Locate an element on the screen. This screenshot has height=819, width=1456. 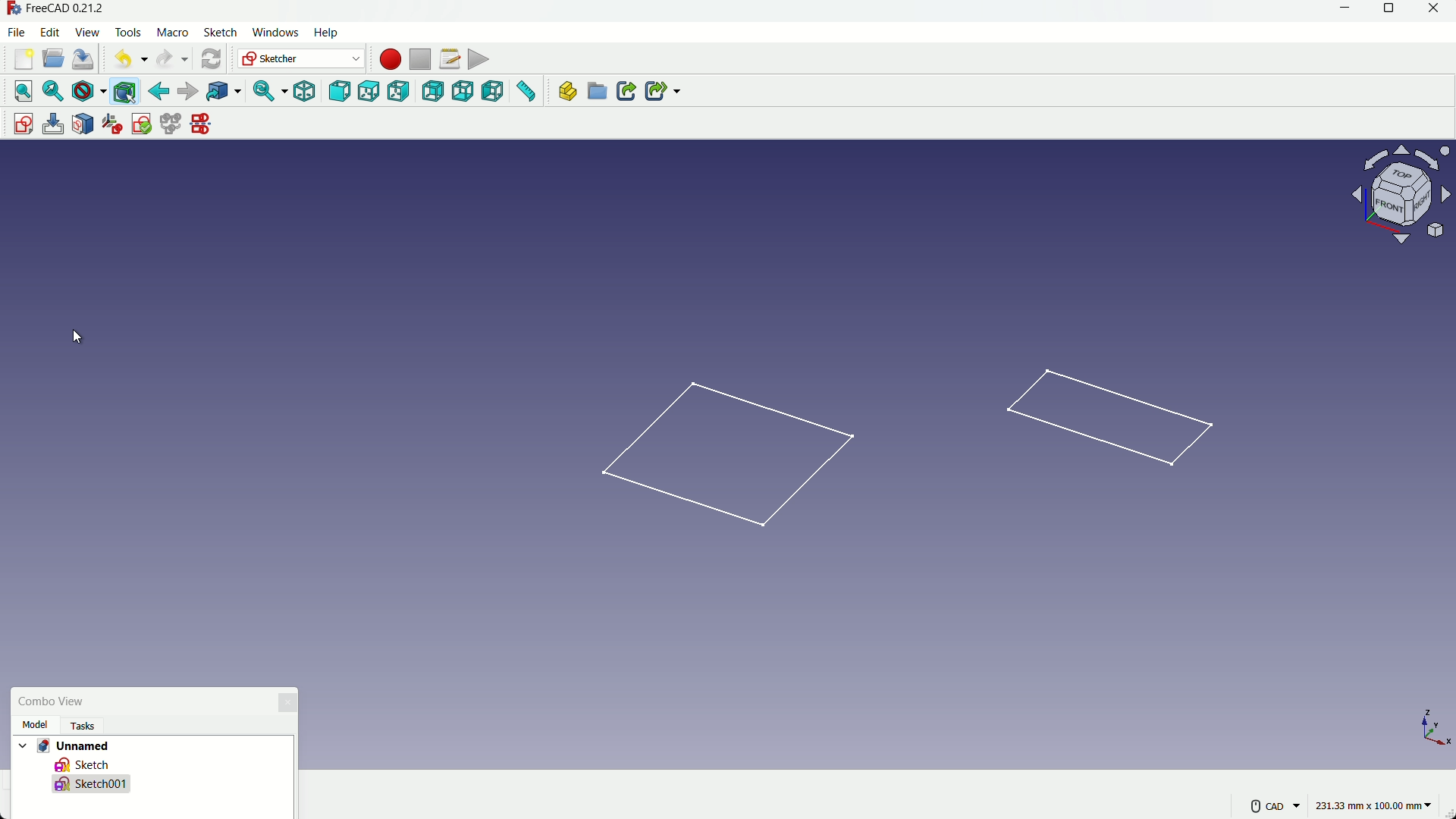
create sub link is located at coordinates (662, 91).